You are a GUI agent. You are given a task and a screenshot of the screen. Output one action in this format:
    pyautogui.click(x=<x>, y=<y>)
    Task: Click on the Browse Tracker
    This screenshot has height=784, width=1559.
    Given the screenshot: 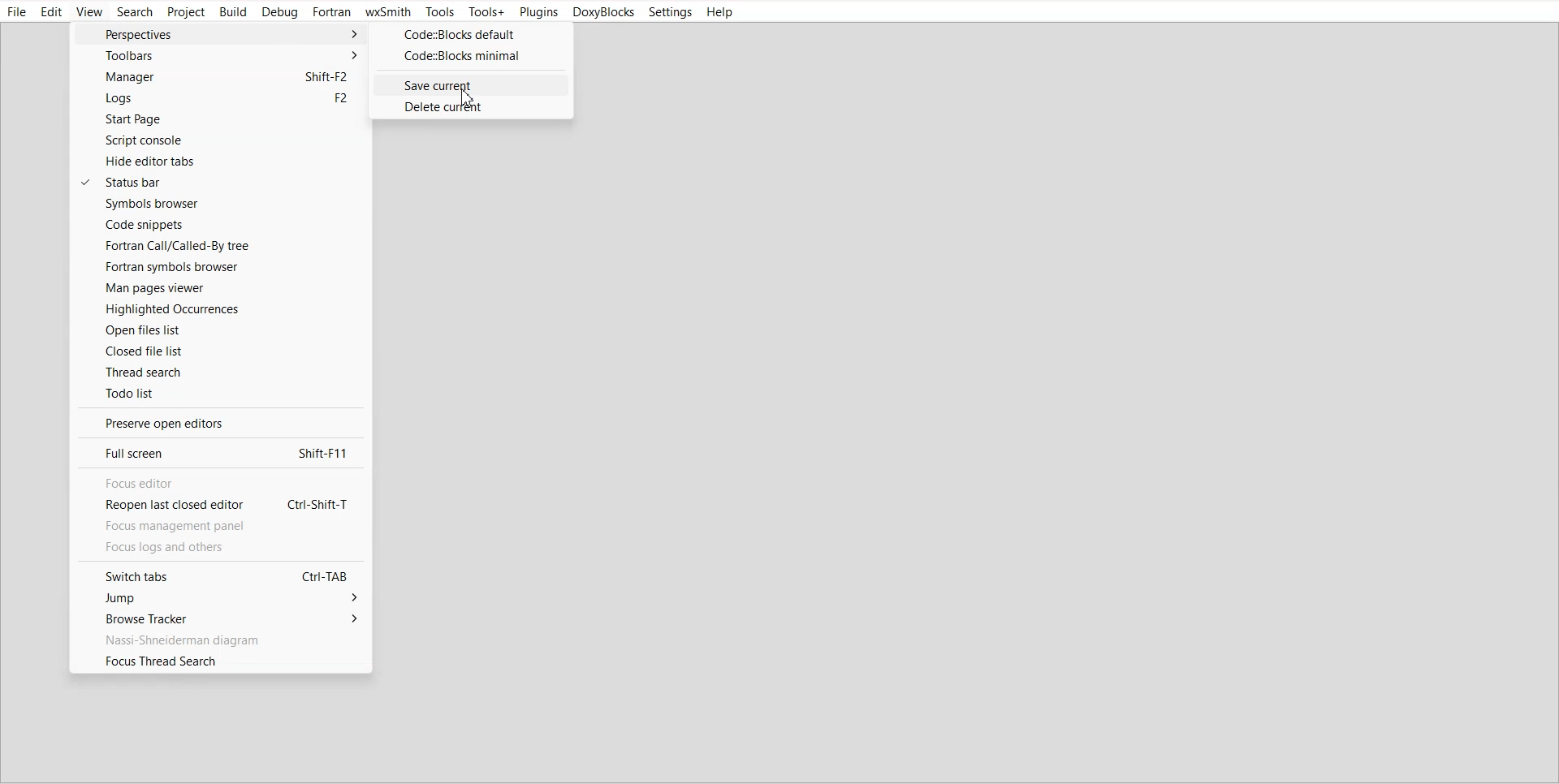 What is the action you would take?
    pyautogui.click(x=217, y=618)
    